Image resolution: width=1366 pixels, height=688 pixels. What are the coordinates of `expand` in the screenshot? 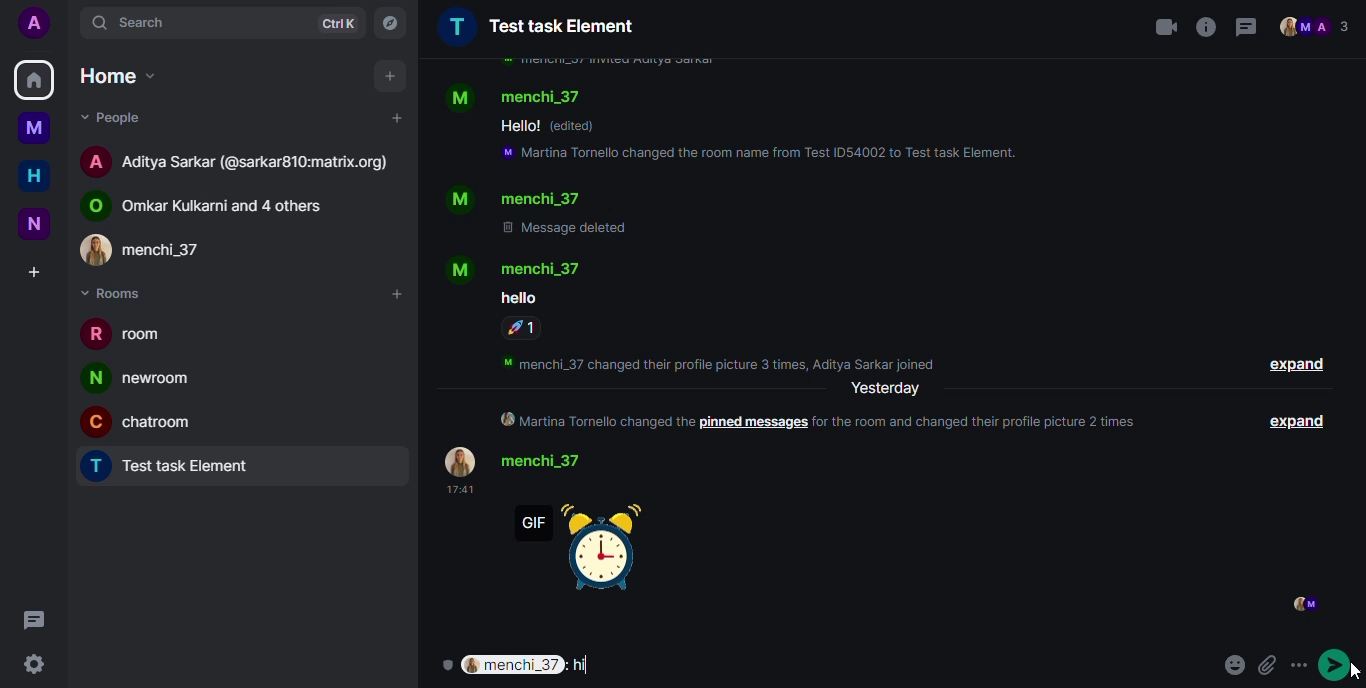 It's located at (1296, 366).